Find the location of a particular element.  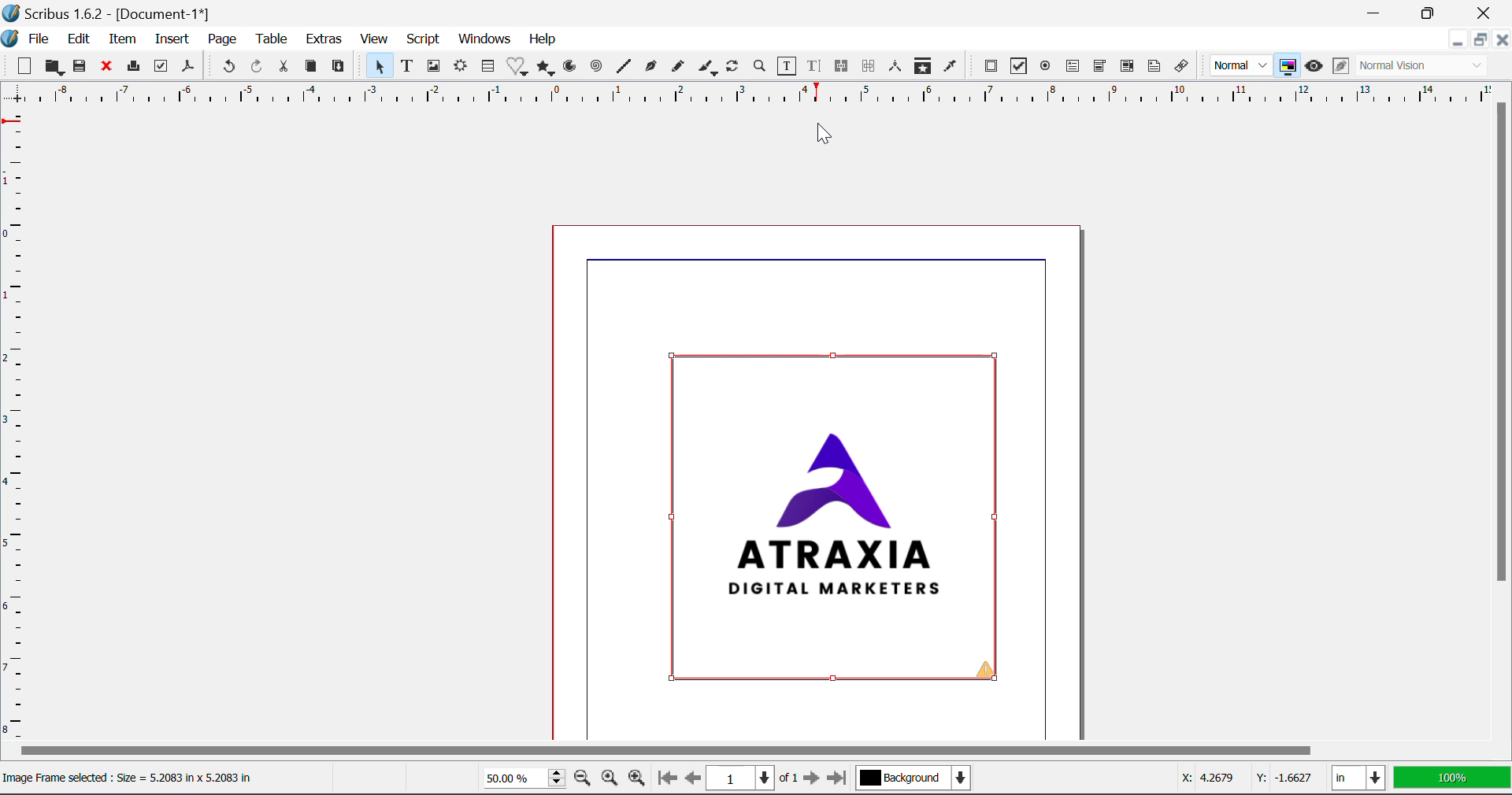

Measurement Unit is located at coordinates (1356, 777).